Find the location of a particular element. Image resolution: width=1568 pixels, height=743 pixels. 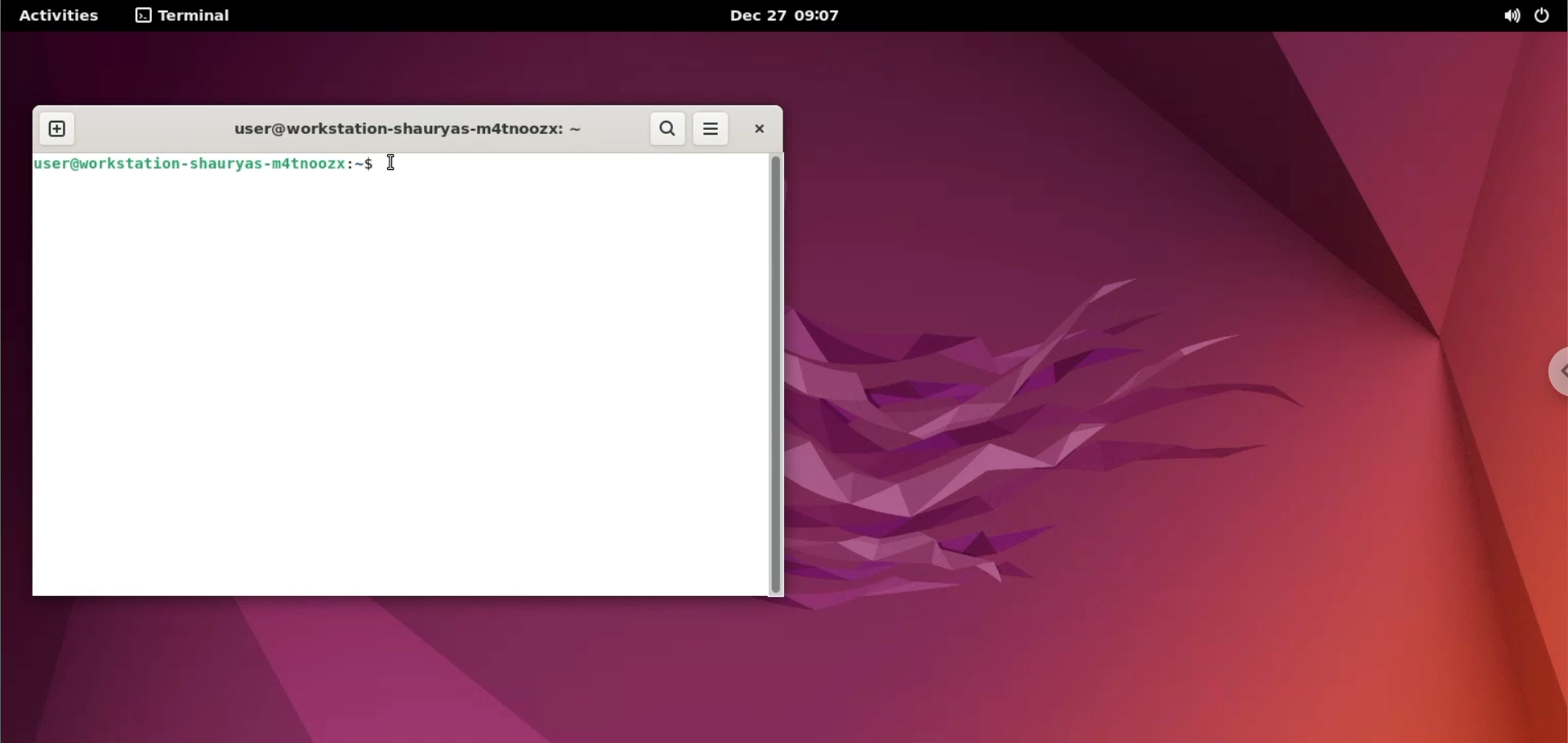

Activities is located at coordinates (60, 15).